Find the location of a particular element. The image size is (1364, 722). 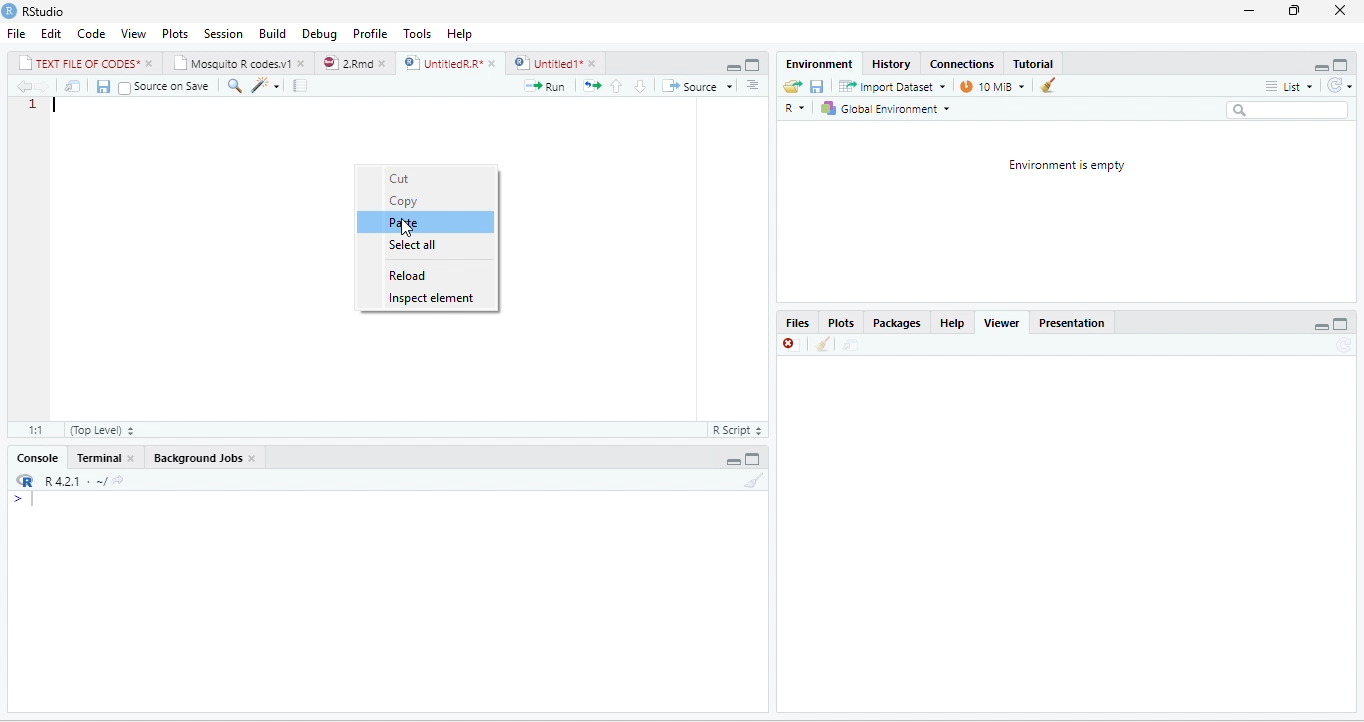

clear is located at coordinates (754, 481).